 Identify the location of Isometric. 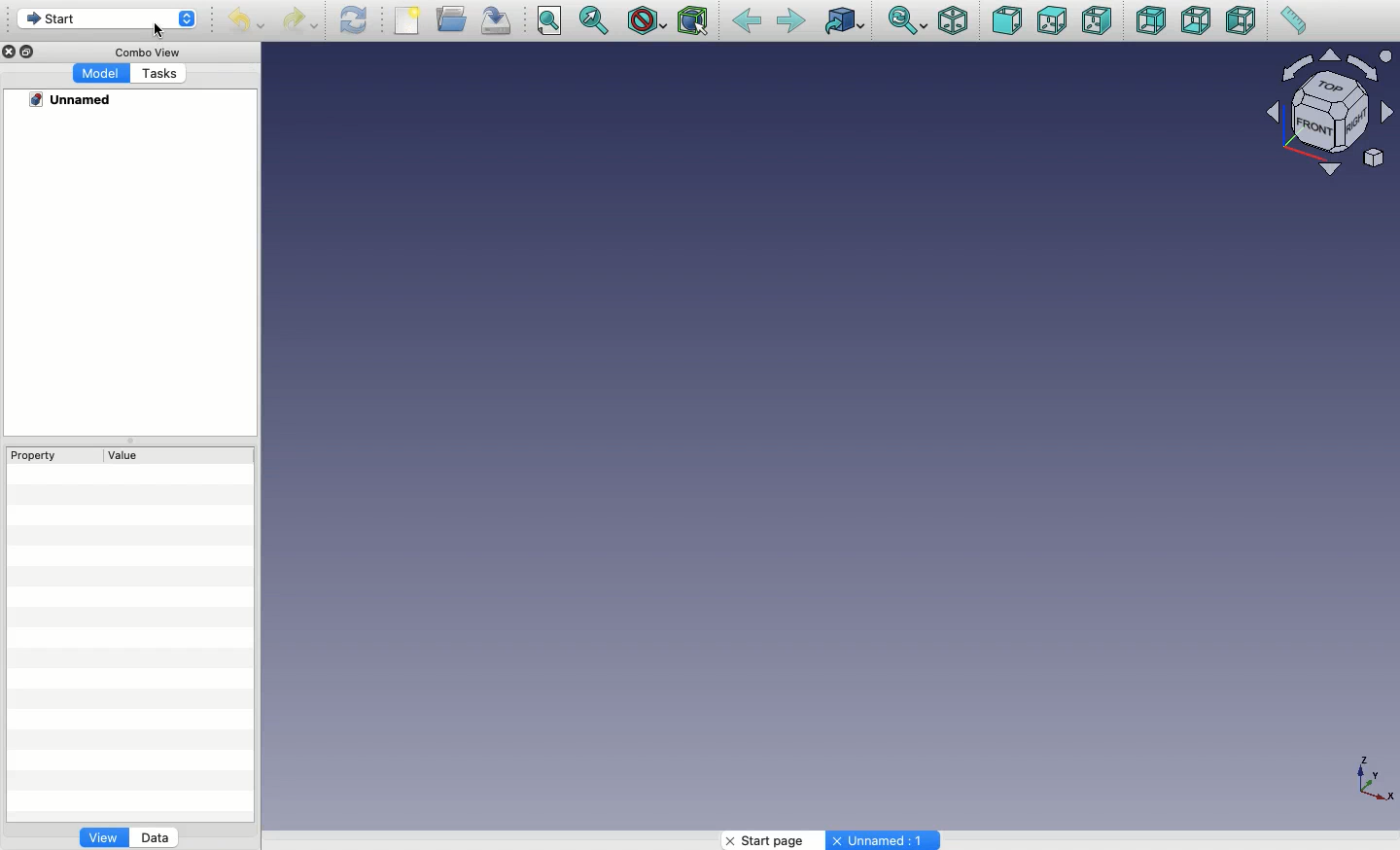
(953, 20).